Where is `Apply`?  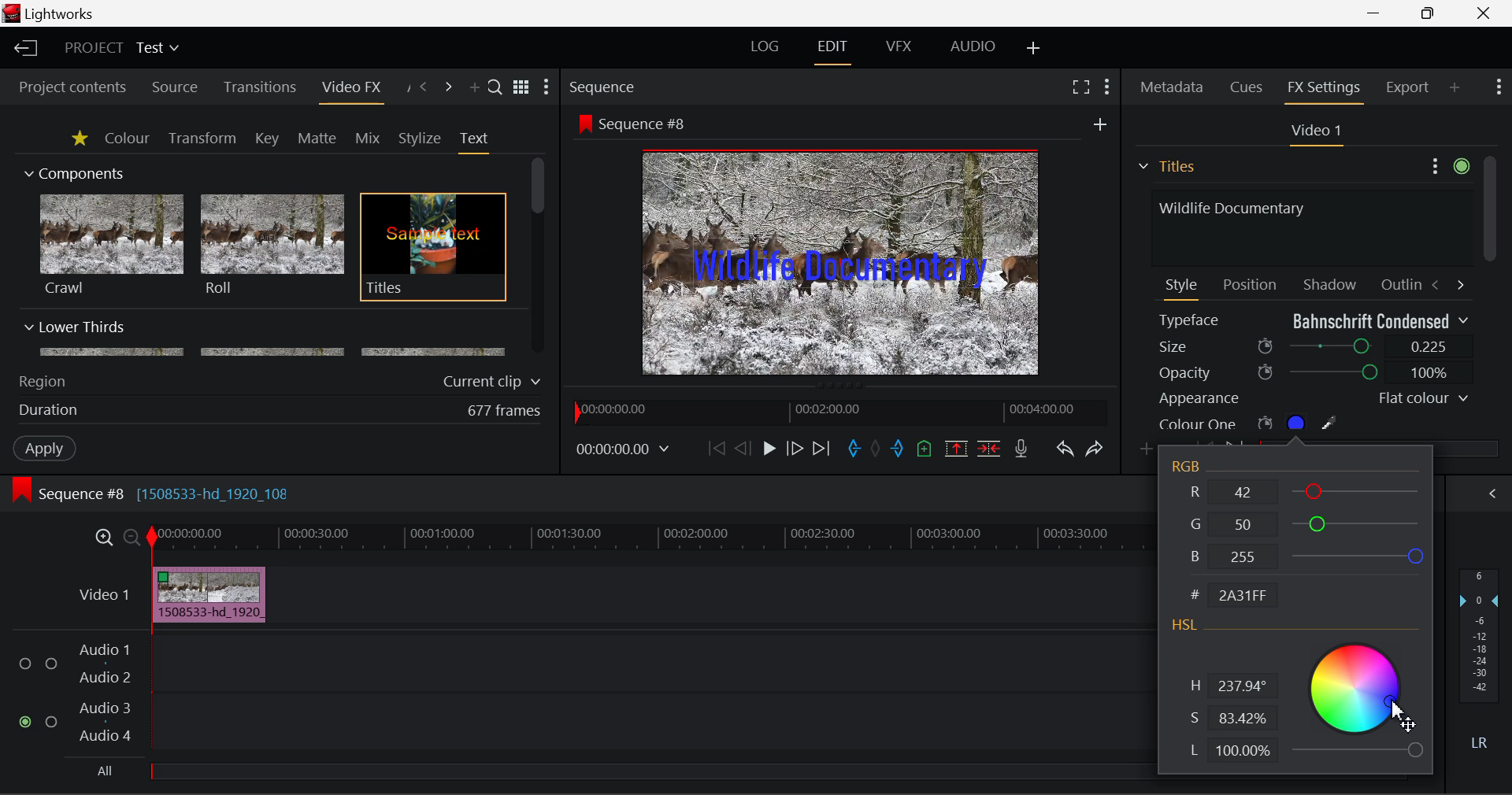
Apply is located at coordinates (46, 447).